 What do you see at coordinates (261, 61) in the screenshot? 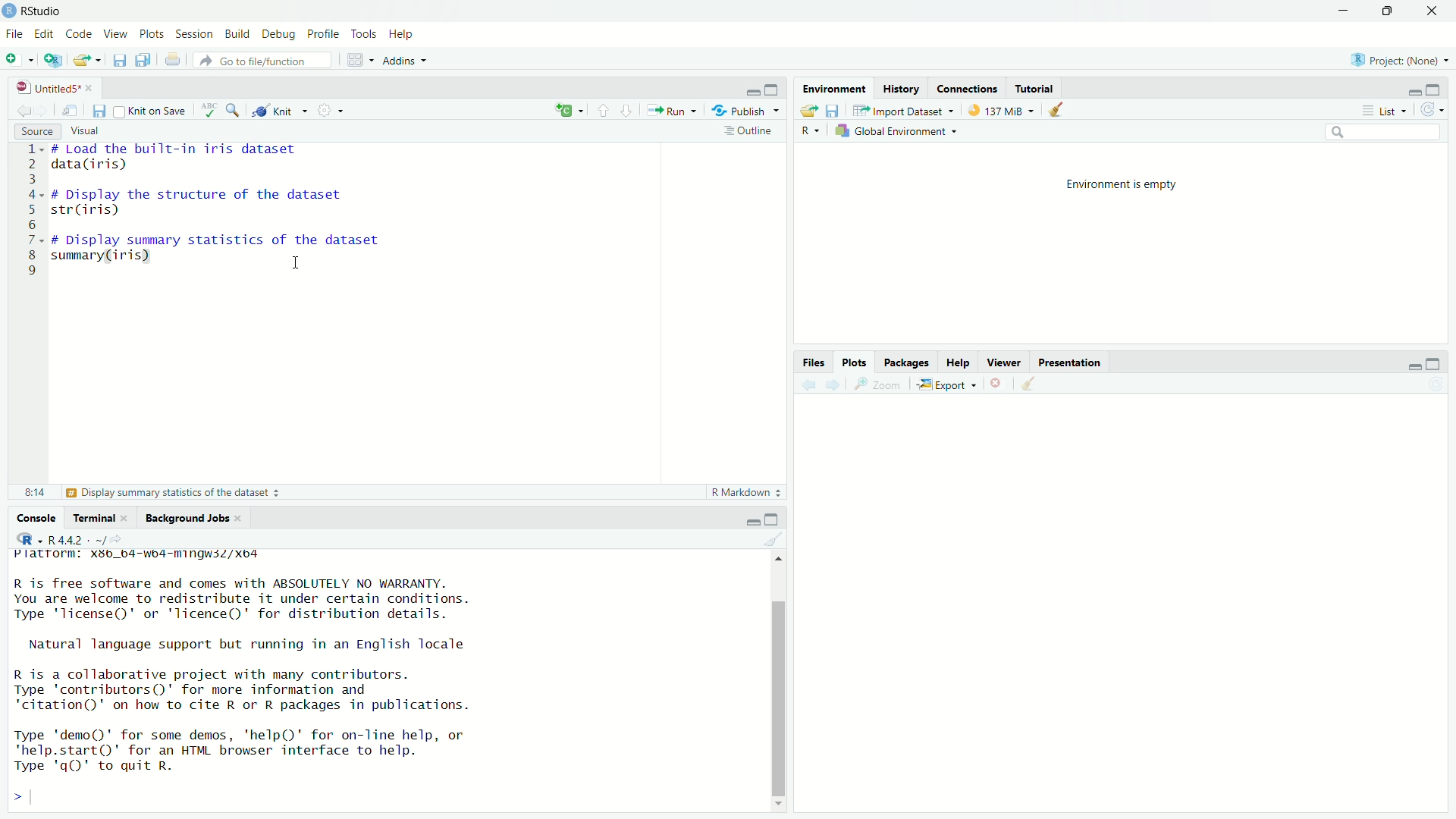
I see `Go to file/function` at bounding box center [261, 61].